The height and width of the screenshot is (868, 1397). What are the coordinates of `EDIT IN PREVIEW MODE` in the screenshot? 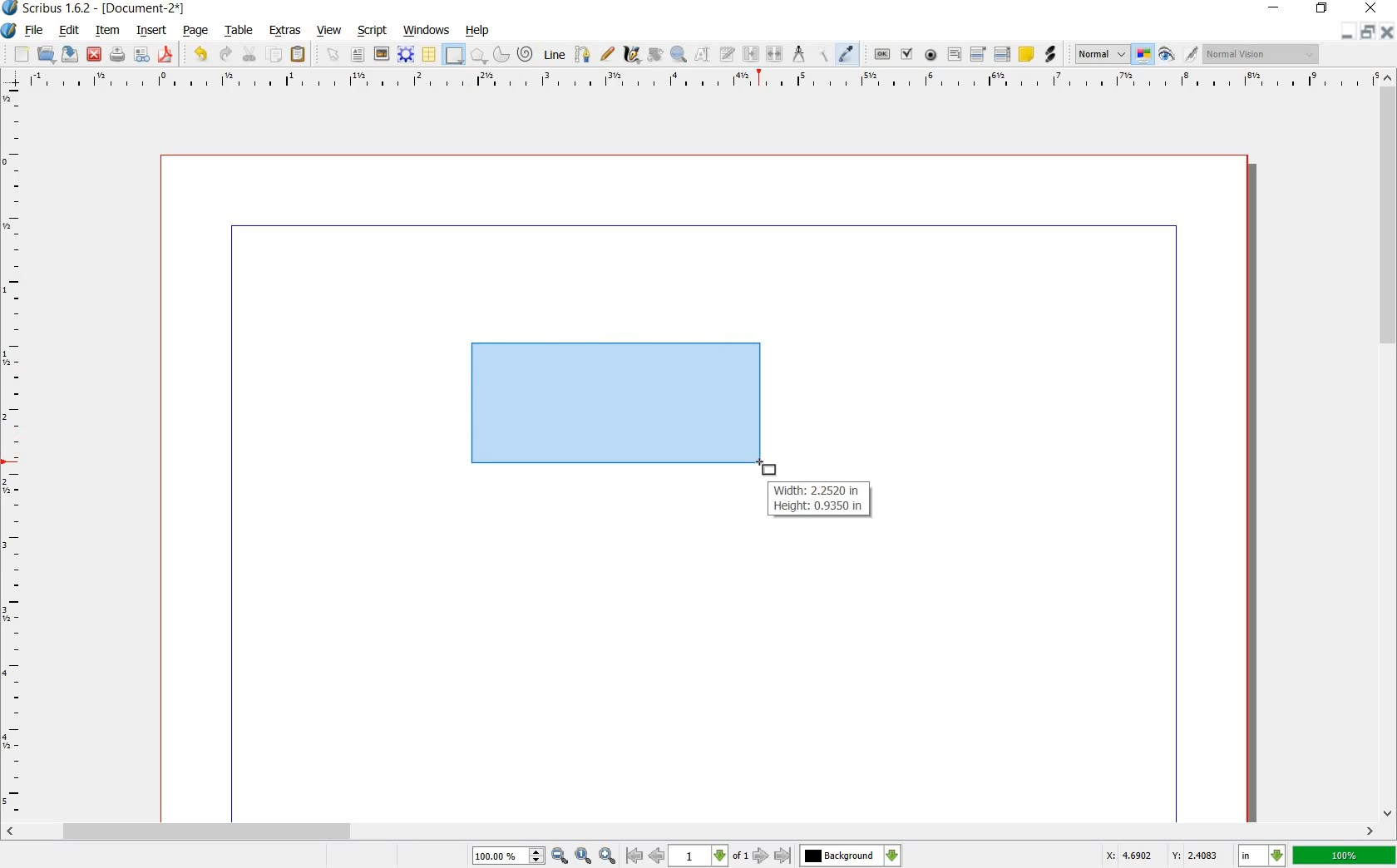 It's located at (1193, 54).